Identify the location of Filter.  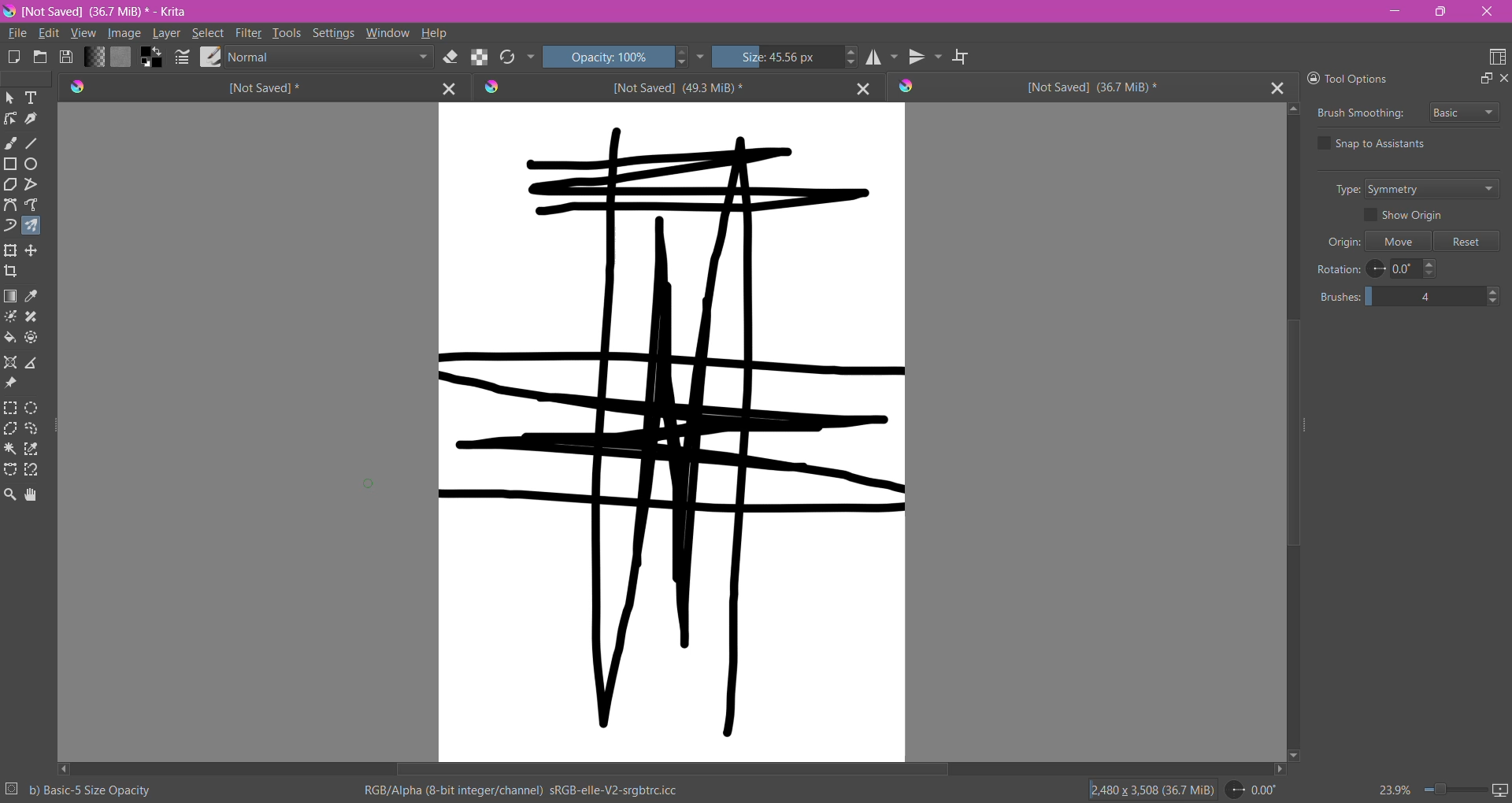
(248, 33).